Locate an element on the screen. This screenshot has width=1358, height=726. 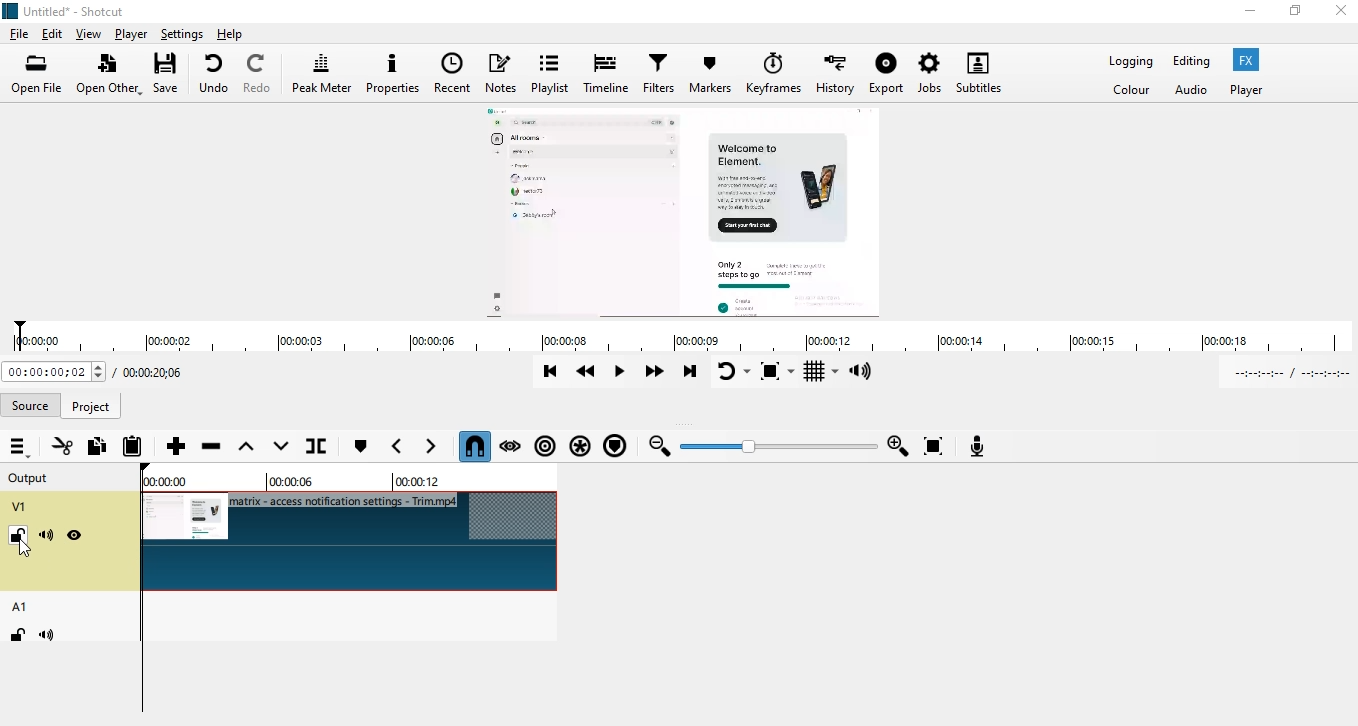
next marker is located at coordinates (437, 448).